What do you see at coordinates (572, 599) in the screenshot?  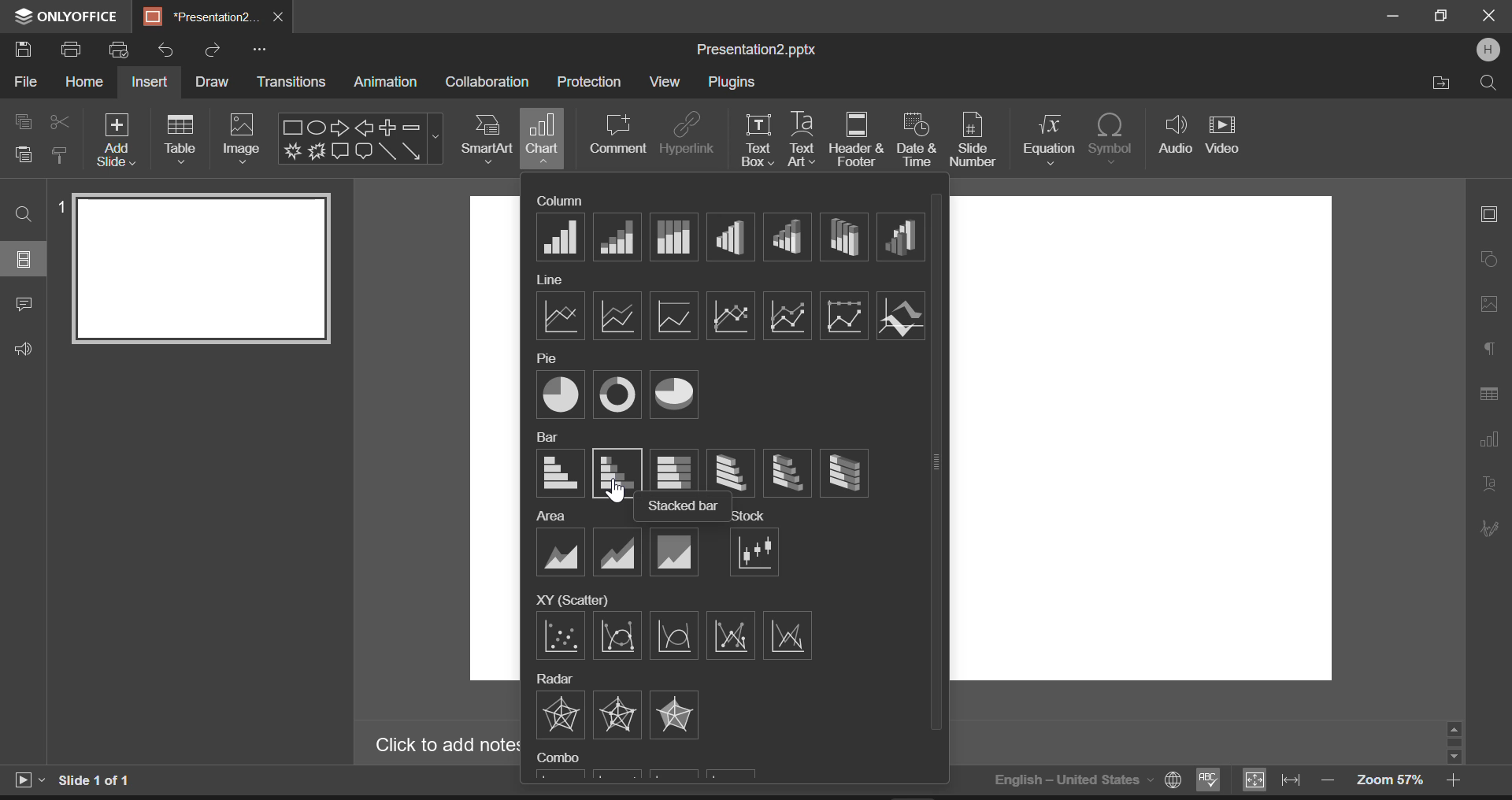 I see `XY (Scatter)` at bounding box center [572, 599].